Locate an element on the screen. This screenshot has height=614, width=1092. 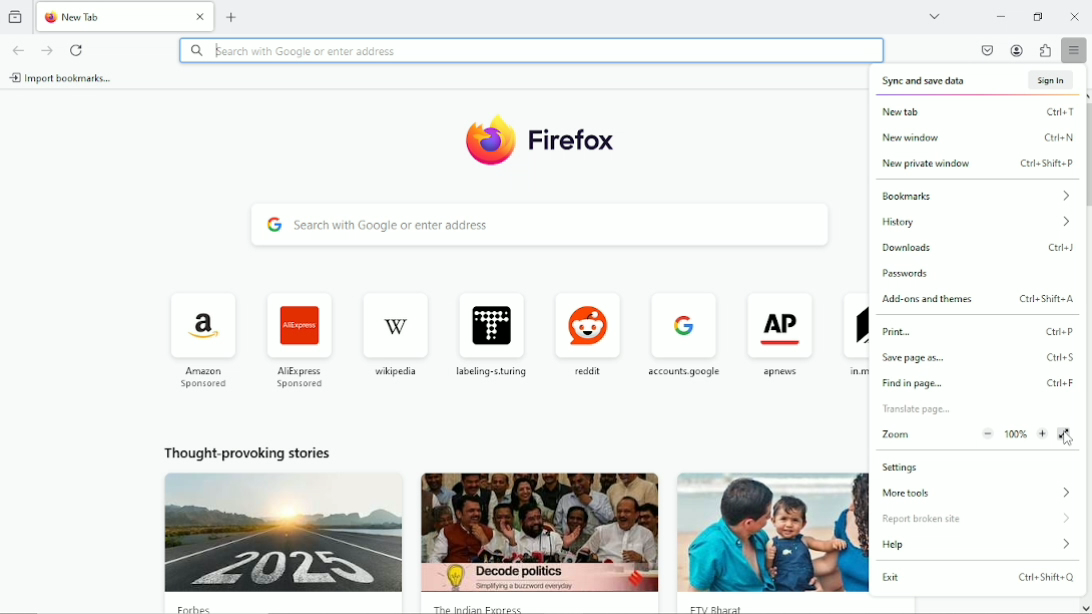
bookmarks is located at coordinates (976, 197).